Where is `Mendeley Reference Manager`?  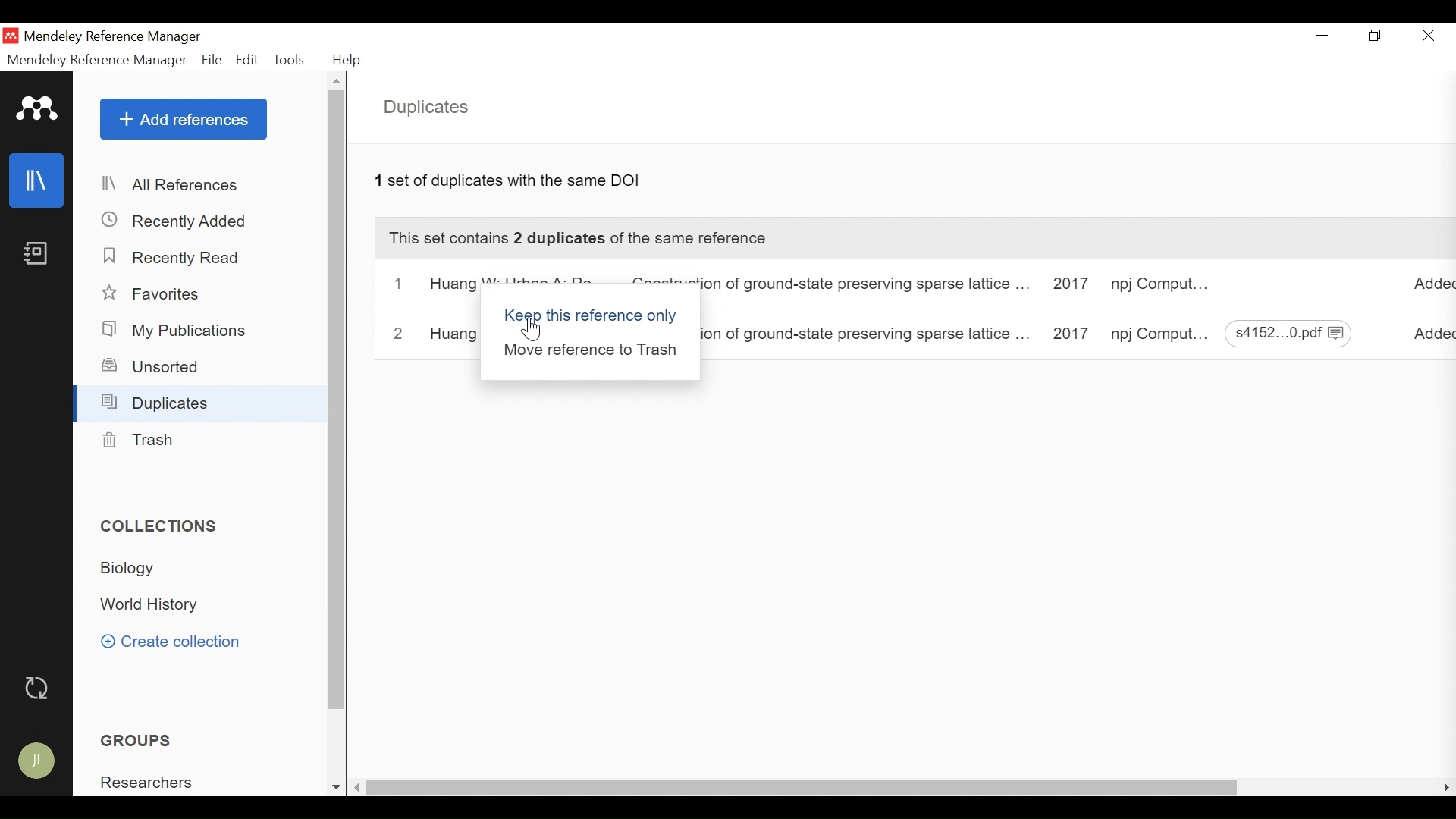 Mendeley Reference Manager is located at coordinates (117, 37).